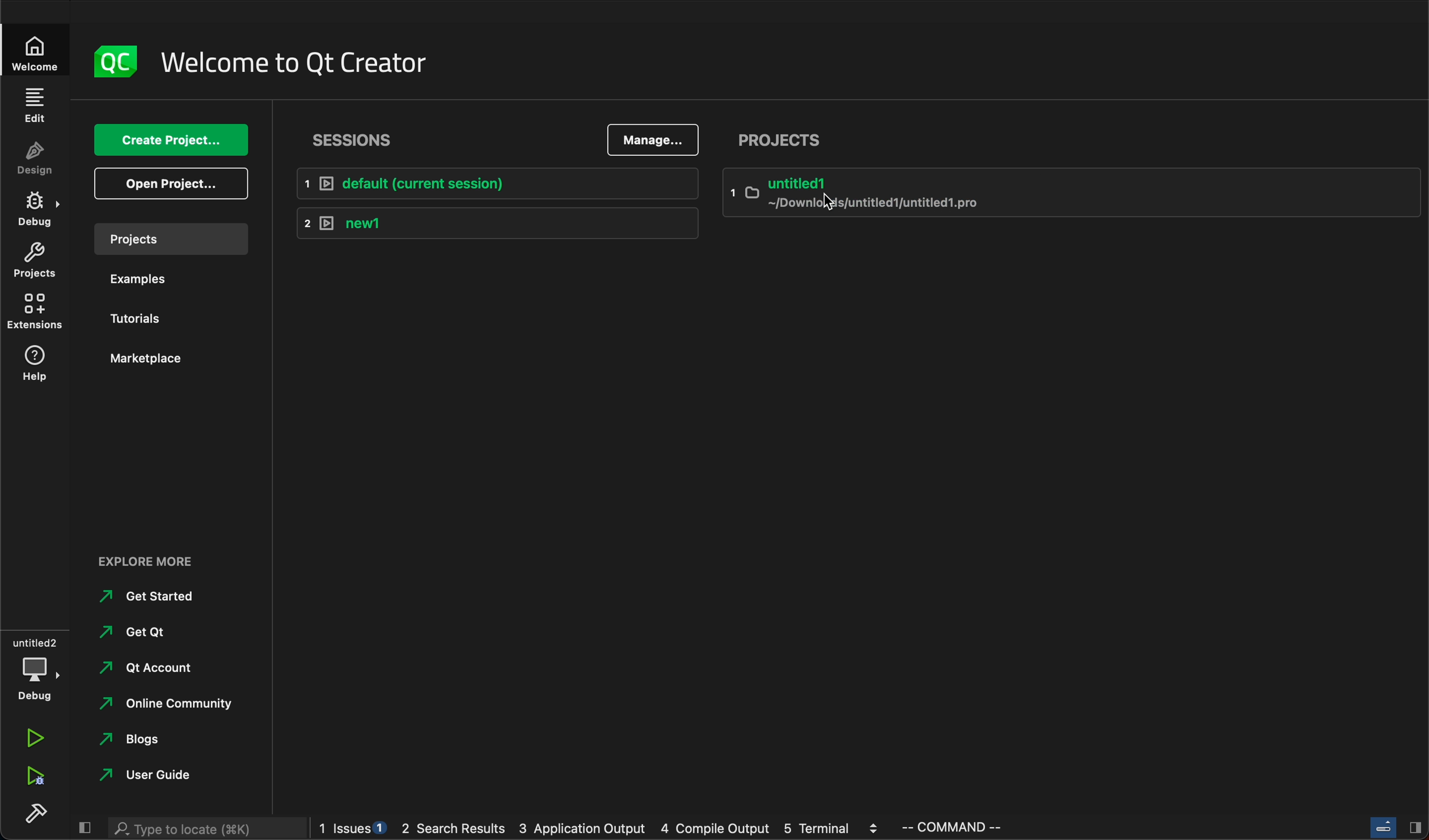 This screenshot has width=1429, height=840. What do you see at coordinates (1397, 829) in the screenshot?
I see `close sidebar` at bounding box center [1397, 829].